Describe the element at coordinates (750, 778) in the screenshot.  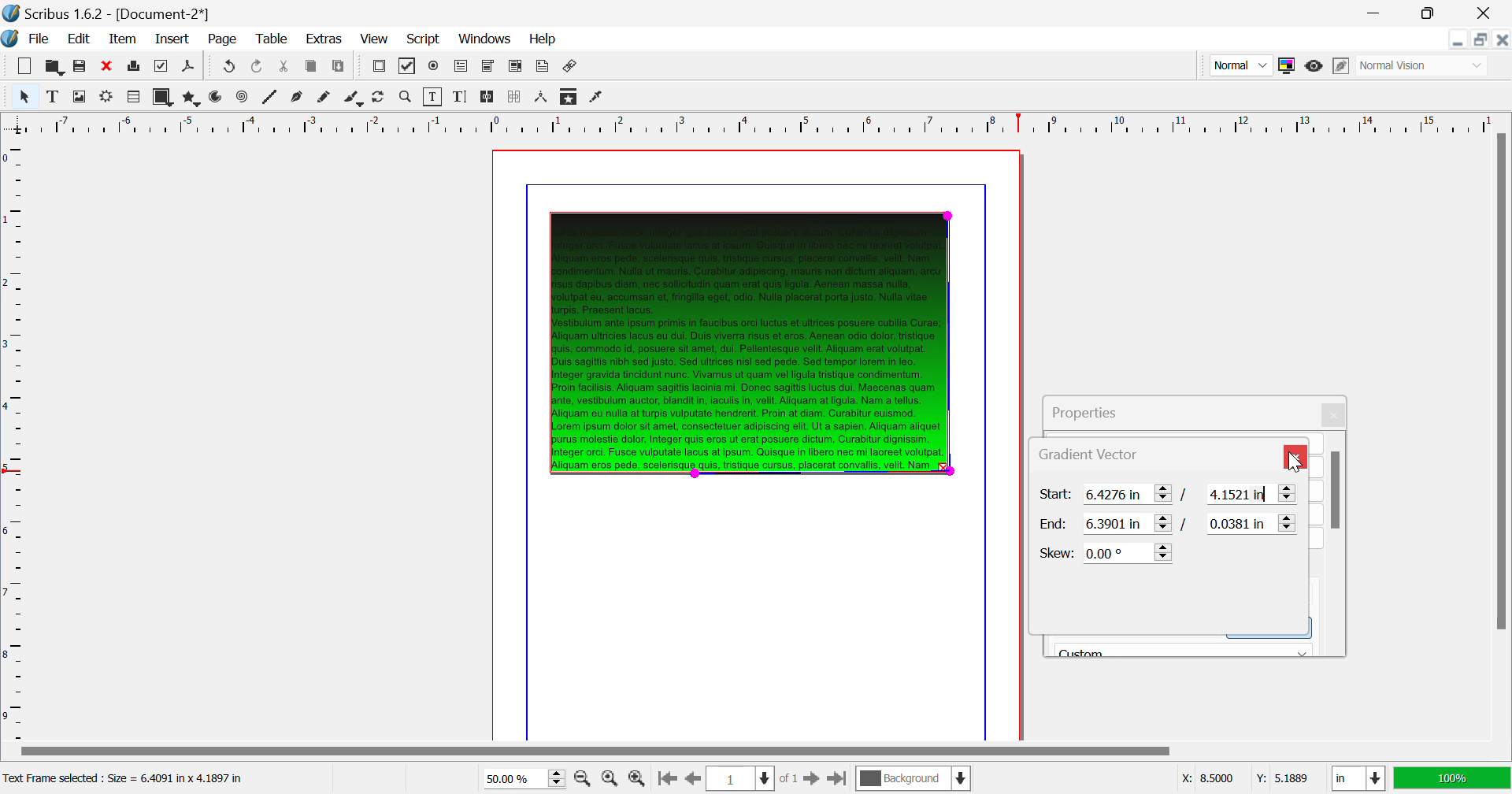
I see `Page 1 of 1` at that location.